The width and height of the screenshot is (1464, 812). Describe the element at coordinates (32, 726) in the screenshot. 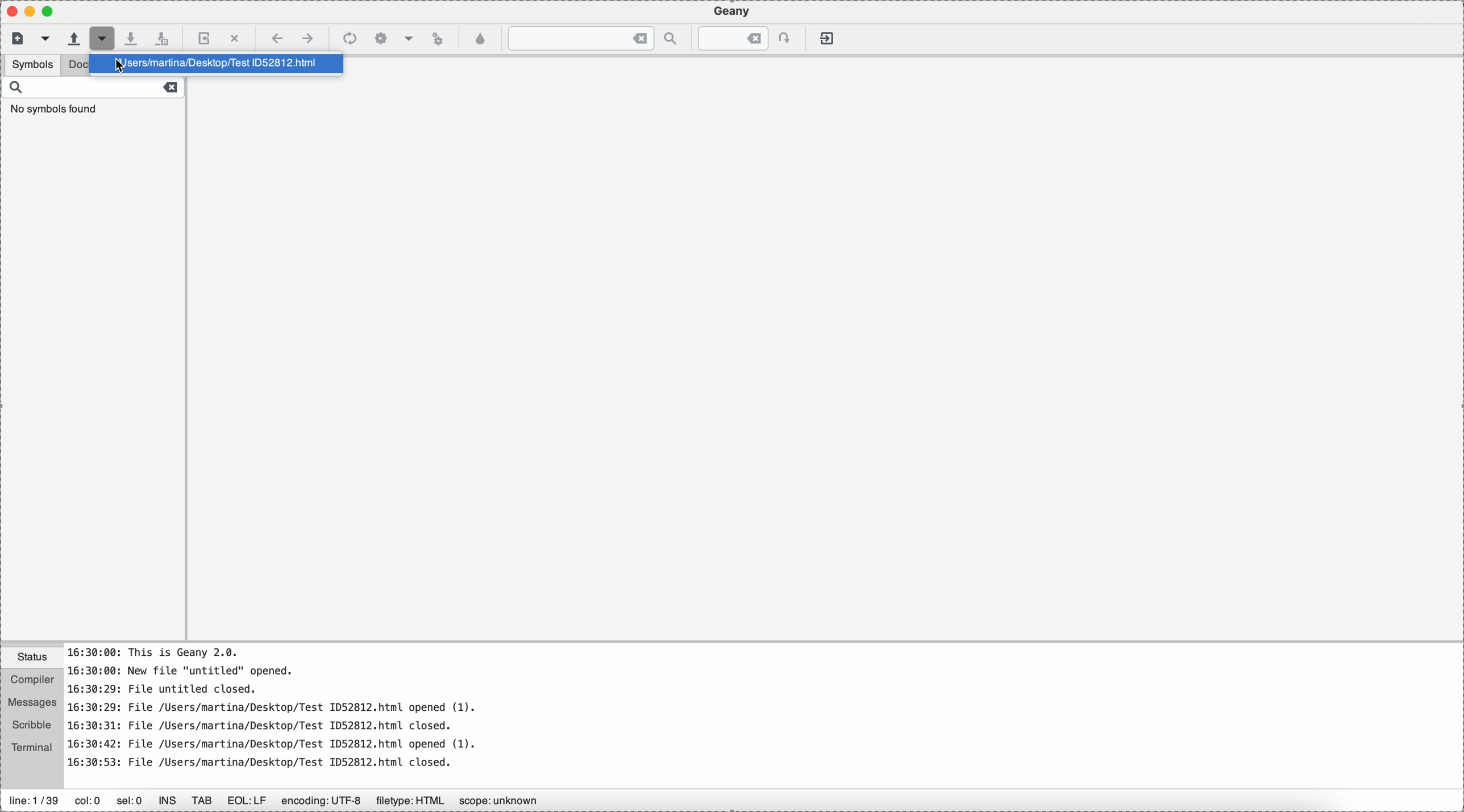

I see `scribble` at that location.